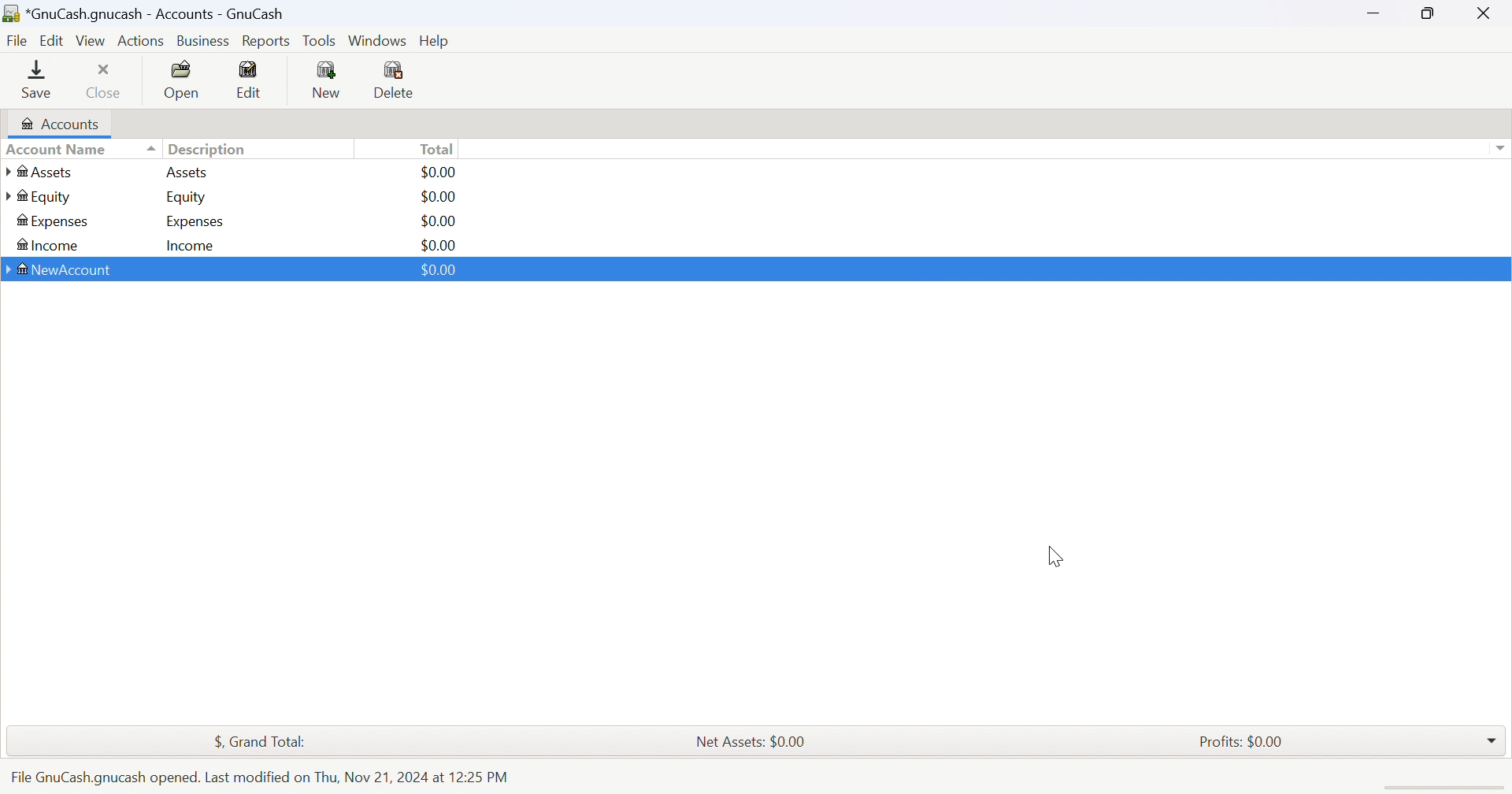 This screenshot has height=794, width=1512. What do you see at coordinates (750, 742) in the screenshot?
I see `Net Assets: $0.00` at bounding box center [750, 742].